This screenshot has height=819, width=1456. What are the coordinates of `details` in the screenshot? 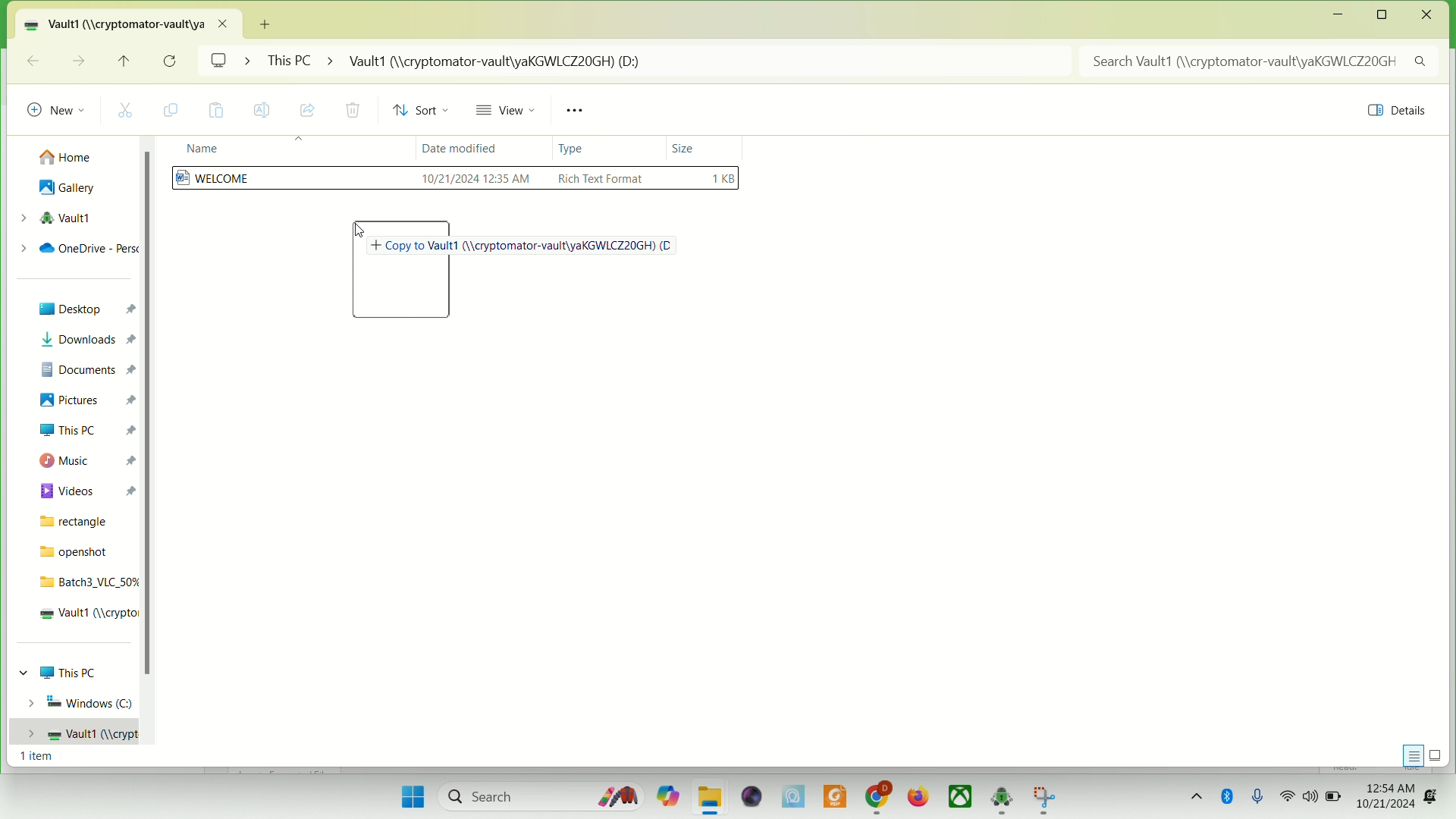 It's located at (1392, 113).